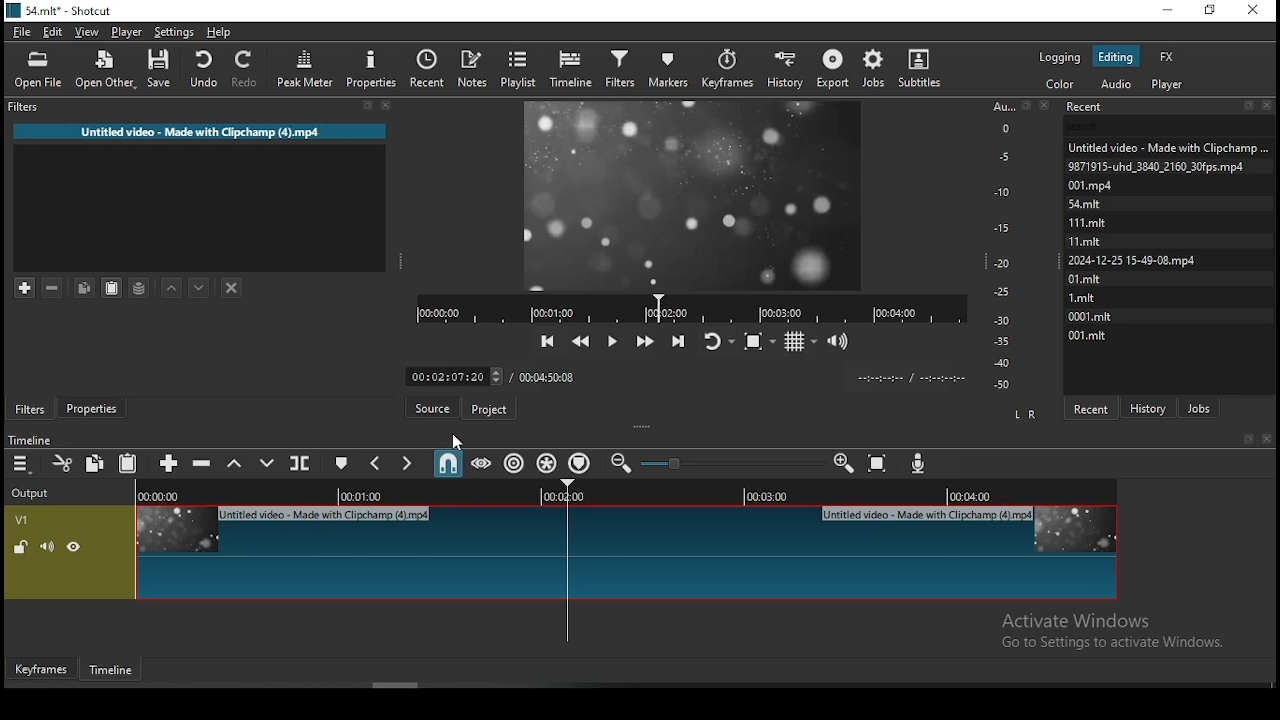 This screenshot has height=720, width=1280. I want to click on redo, so click(250, 70).